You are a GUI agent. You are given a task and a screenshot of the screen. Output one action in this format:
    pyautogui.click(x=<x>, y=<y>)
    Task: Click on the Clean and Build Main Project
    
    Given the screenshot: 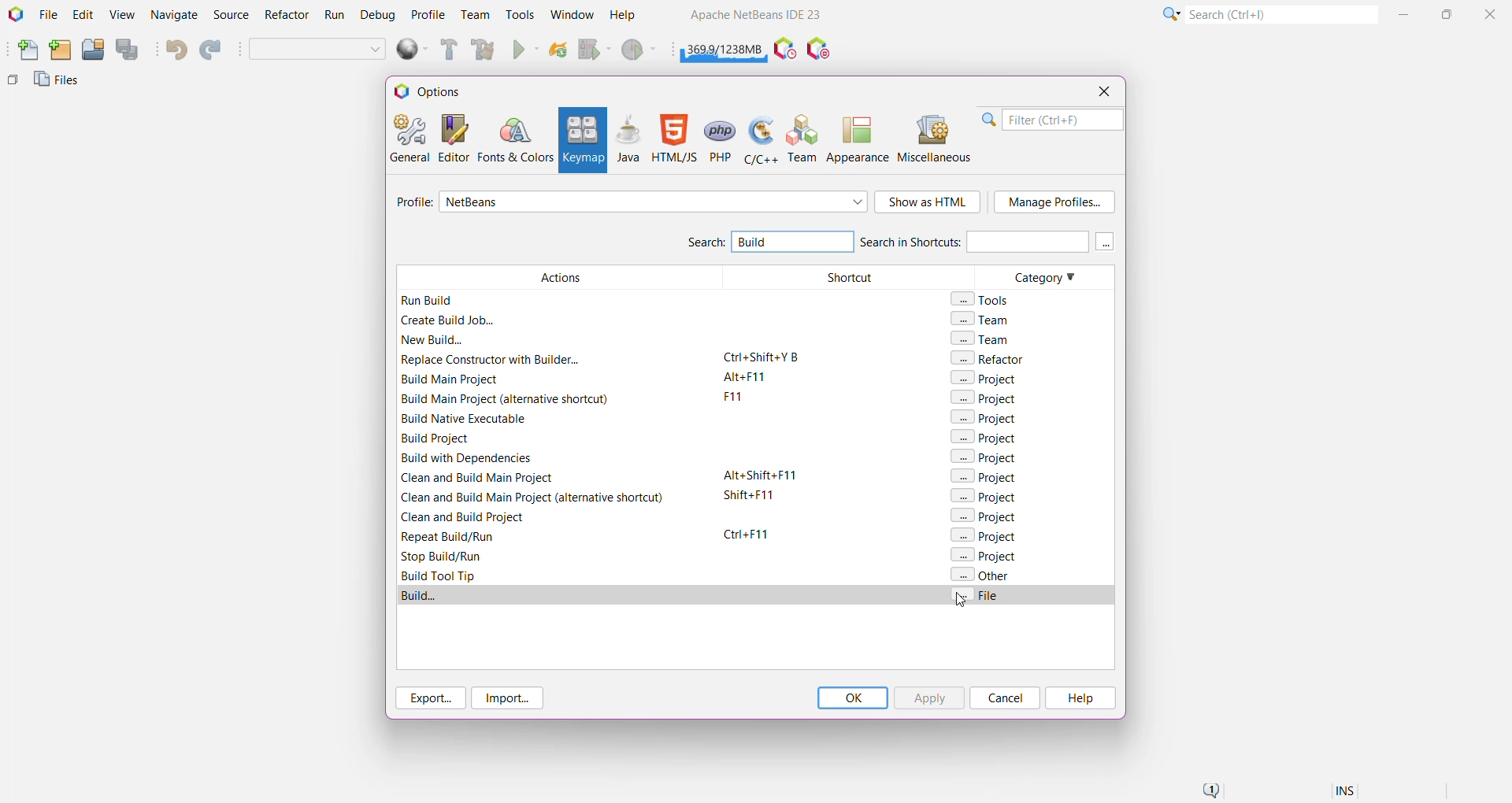 What is the action you would take?
    pyautogui.click(x=486, y=51)
    